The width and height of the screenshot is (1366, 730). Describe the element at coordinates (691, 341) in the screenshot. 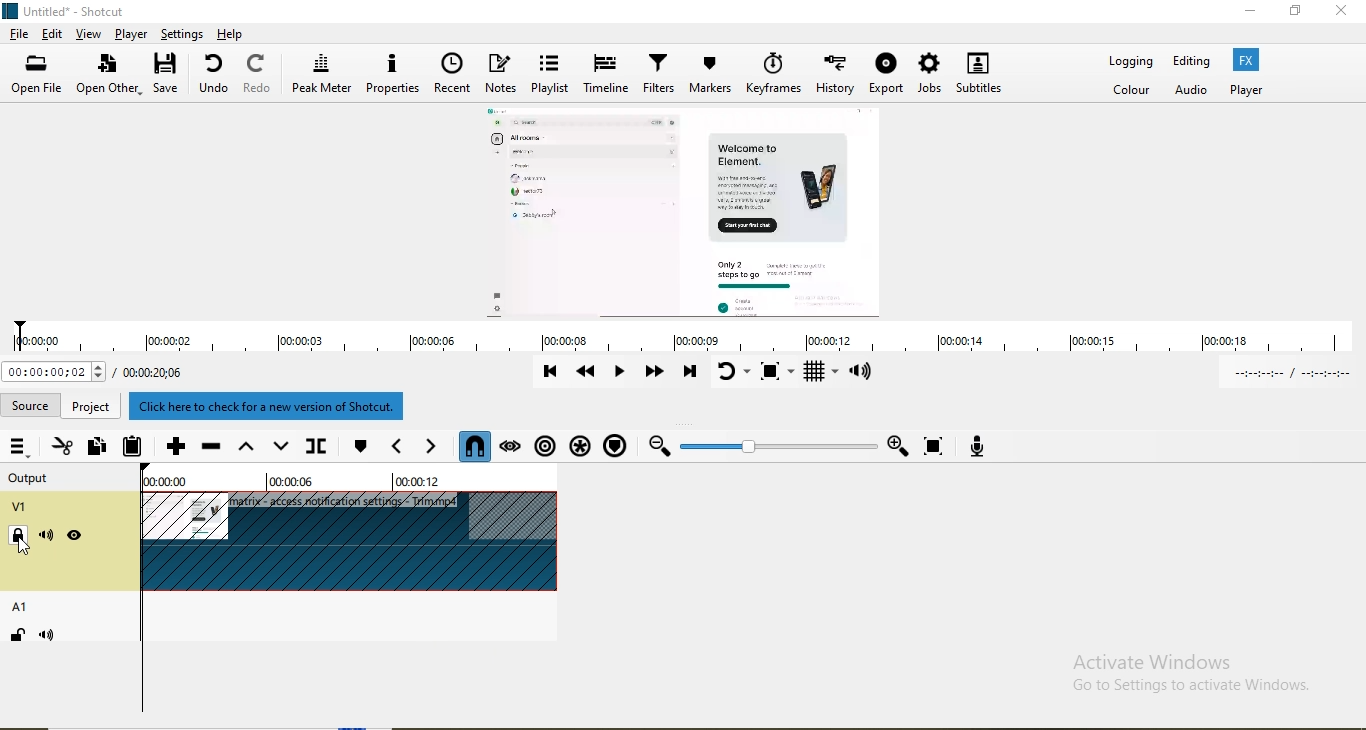

I see `timeline` at that location.